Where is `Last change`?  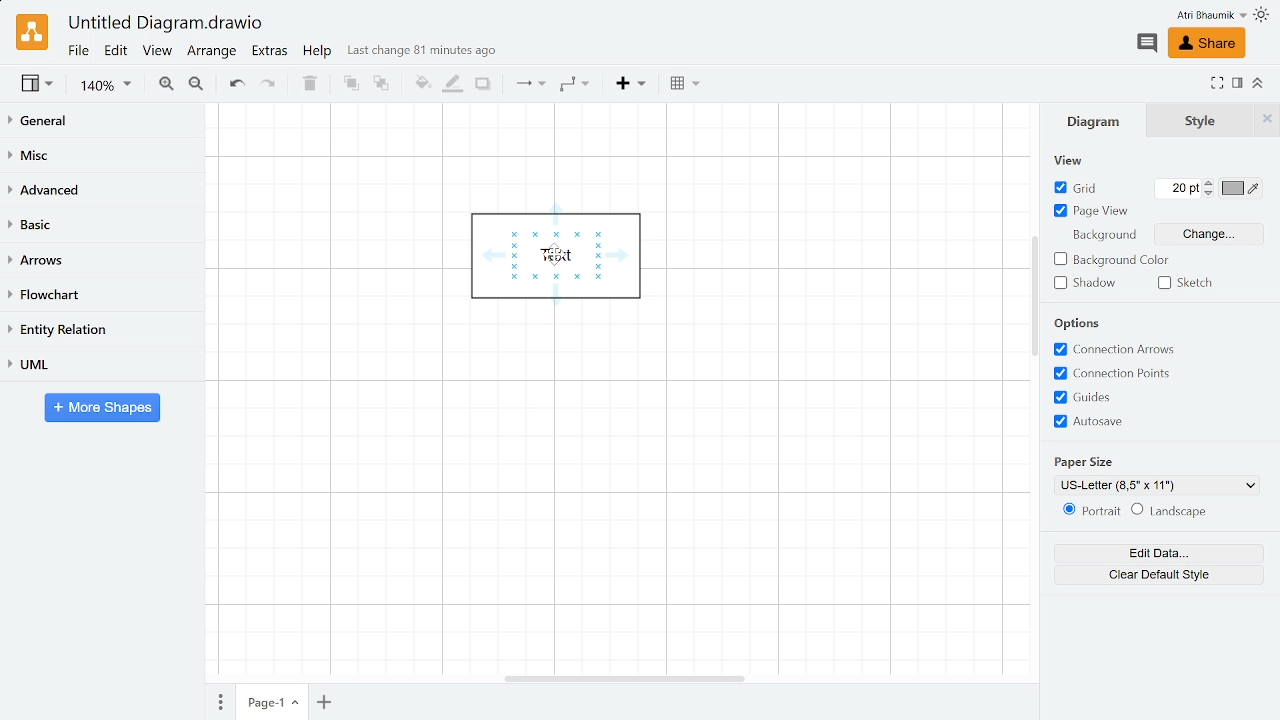 Last change is located at coordinates (422, 55).